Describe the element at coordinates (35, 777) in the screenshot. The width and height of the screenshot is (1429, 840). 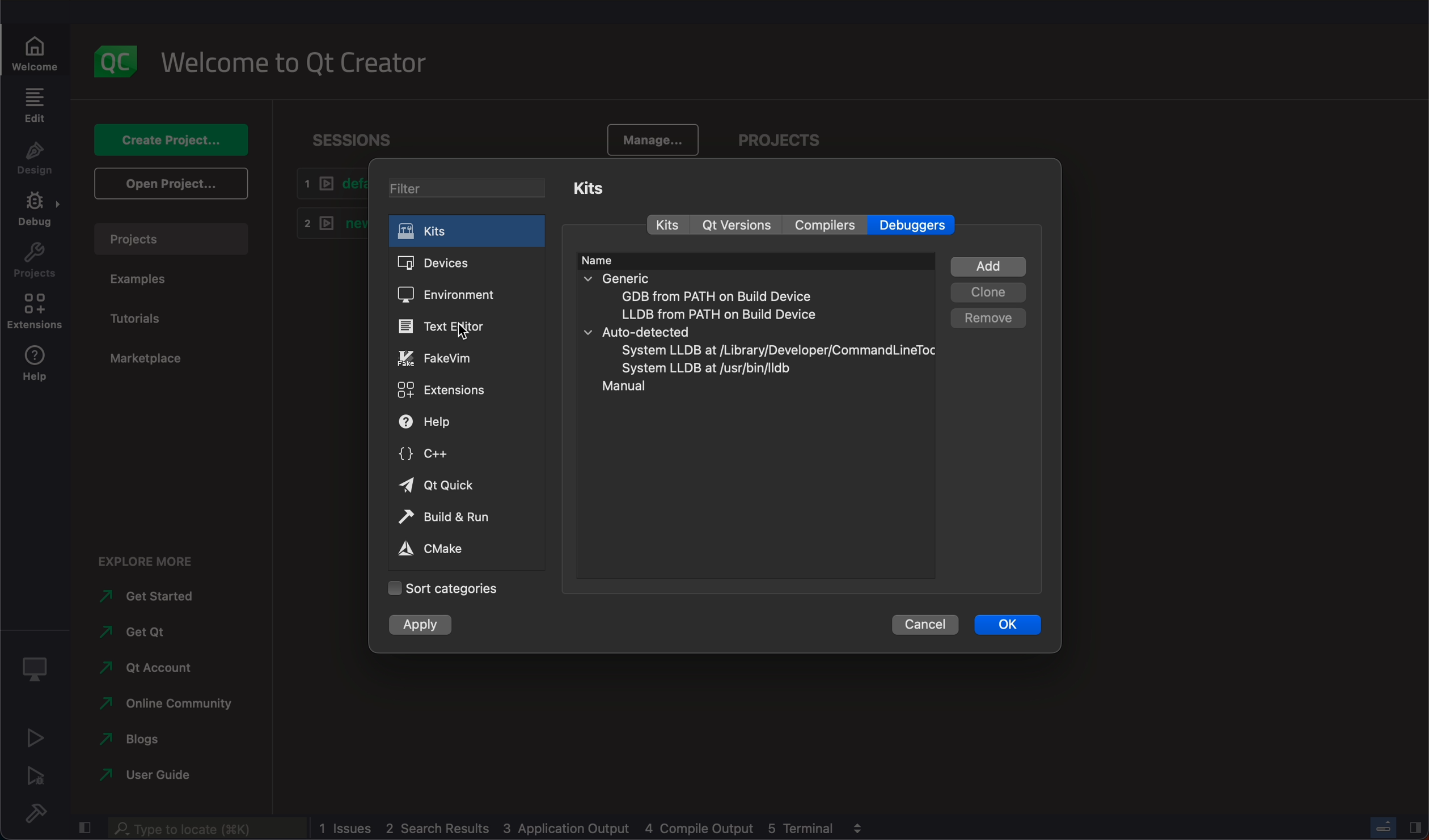
I see `run debug` at that location.